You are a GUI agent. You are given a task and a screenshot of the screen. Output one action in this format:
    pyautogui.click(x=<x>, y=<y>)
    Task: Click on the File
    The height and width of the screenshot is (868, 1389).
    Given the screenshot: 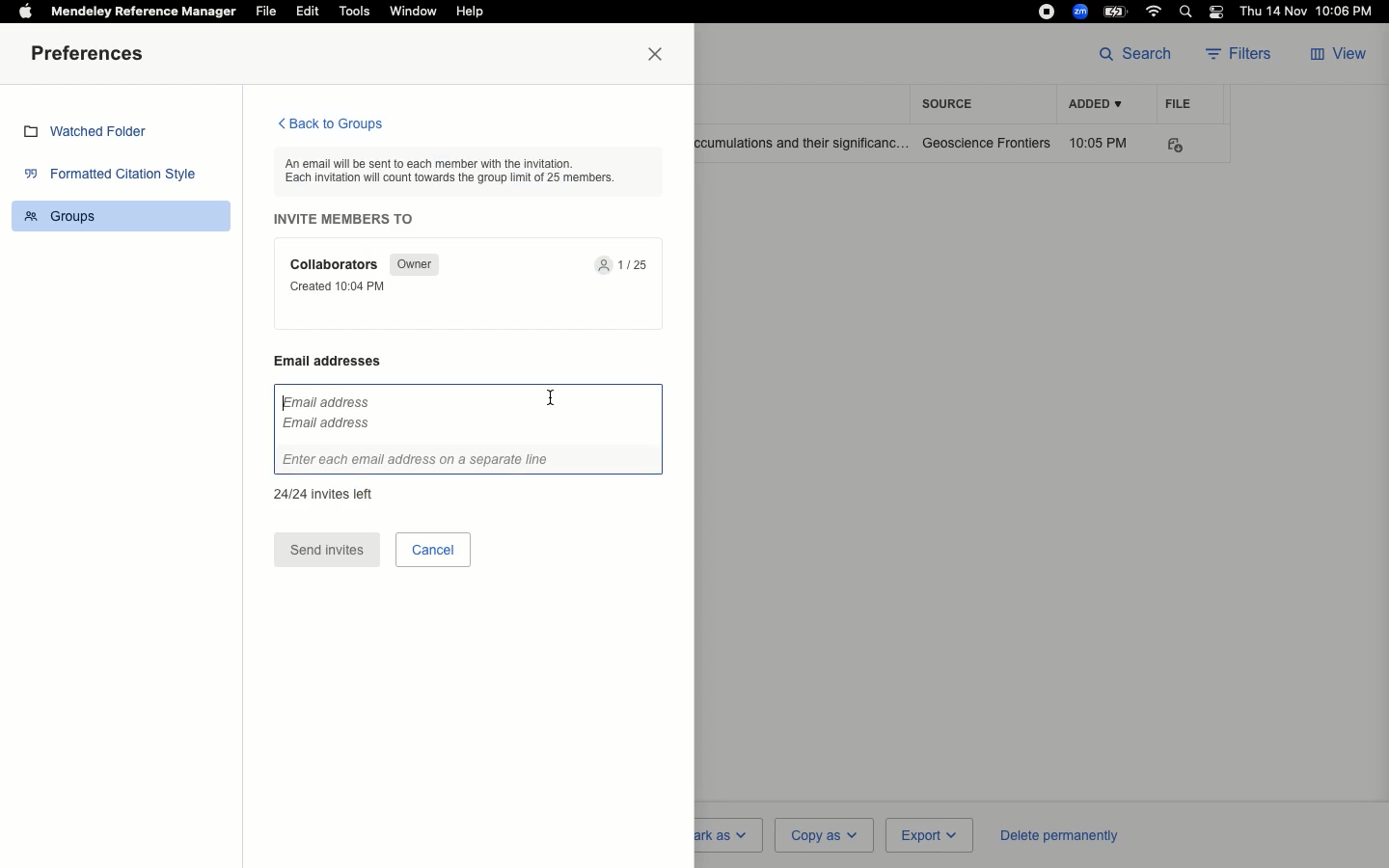 What is the action you would take?
    pyautogui.click(x=1179, y=103)
    